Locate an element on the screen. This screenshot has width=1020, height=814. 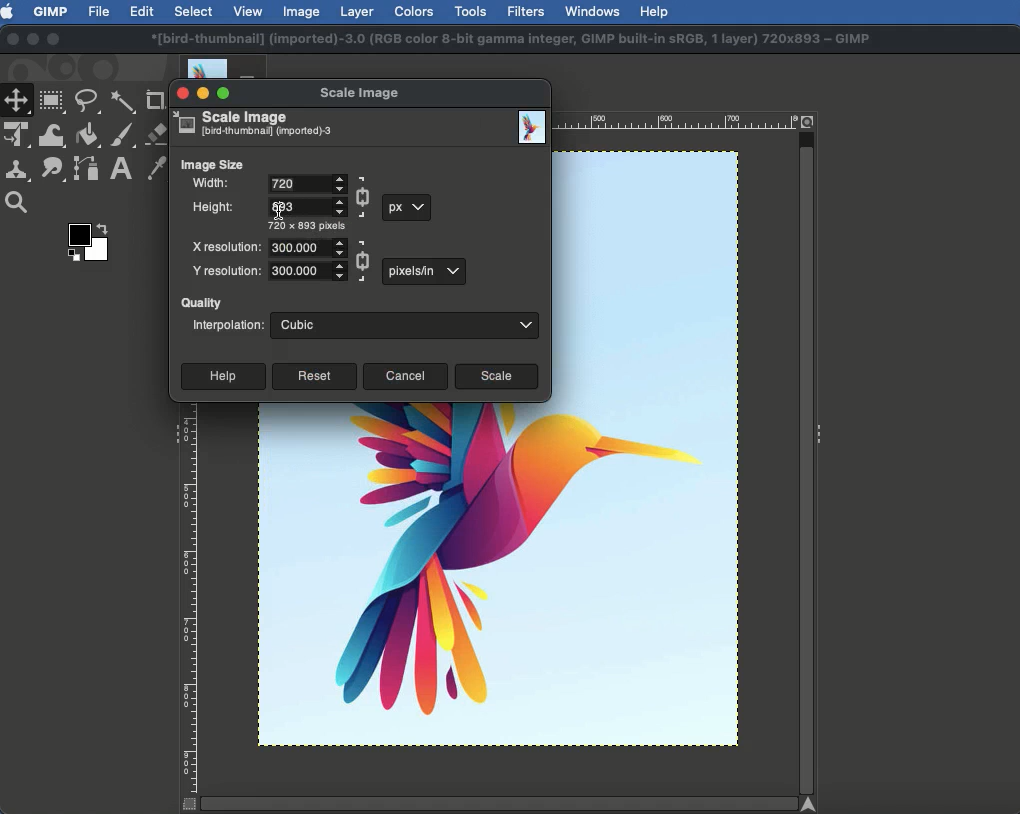
Cancel is located at coordinates (404, 378).